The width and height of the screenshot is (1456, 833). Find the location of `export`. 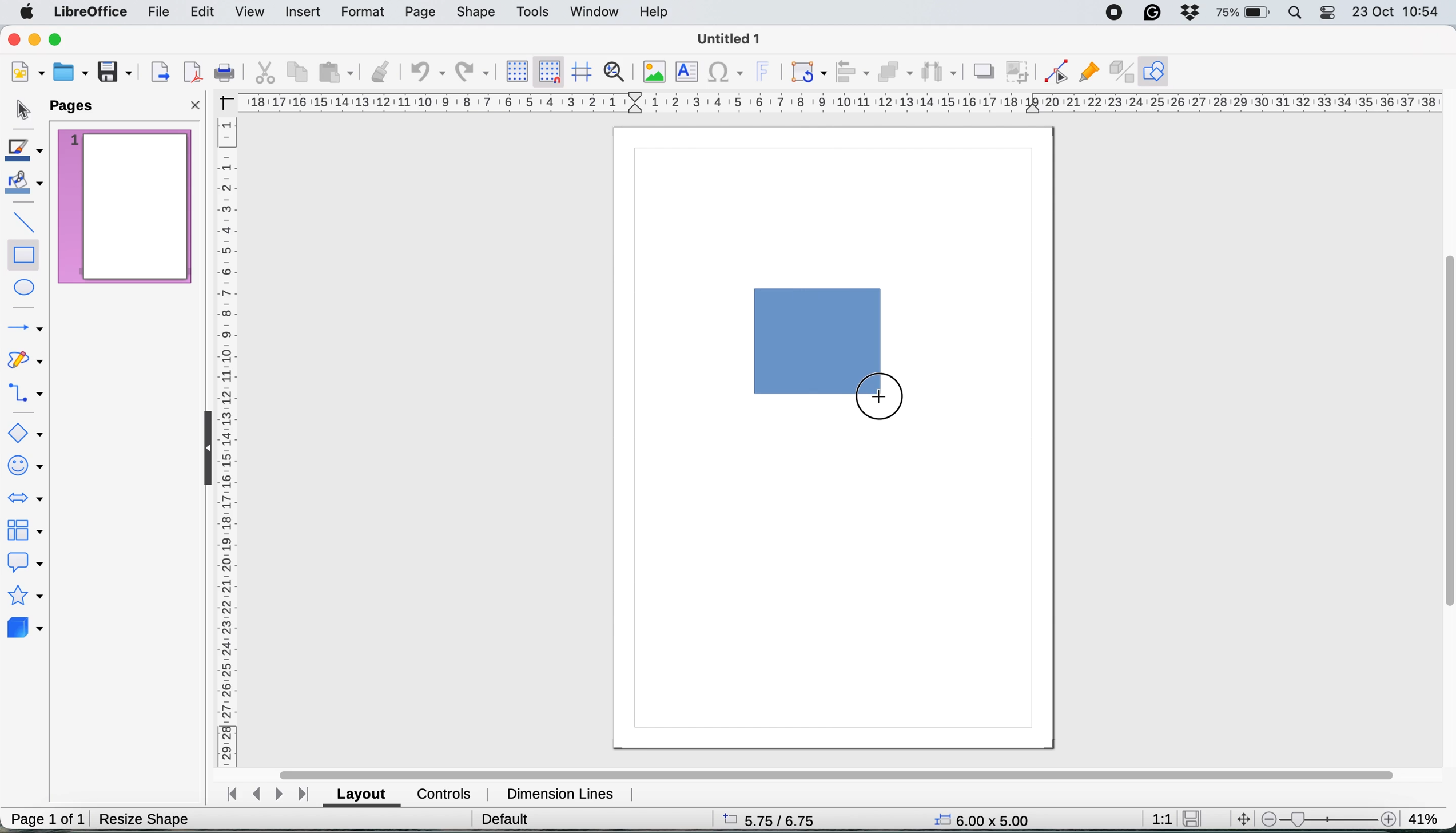

export is located at coordinates (161, 70).